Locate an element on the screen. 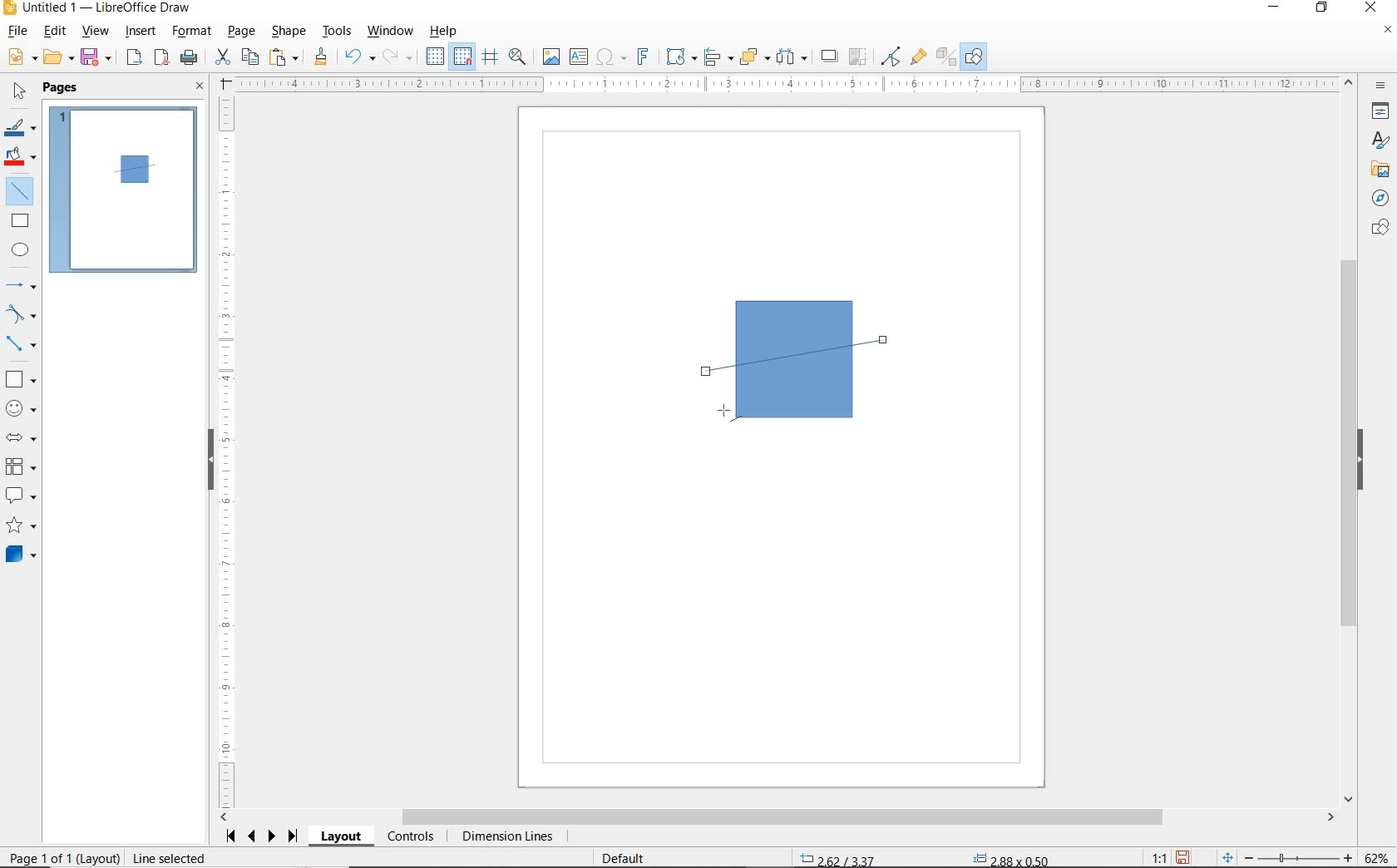  CROP IMAGE is located at coordinates (859, 57).